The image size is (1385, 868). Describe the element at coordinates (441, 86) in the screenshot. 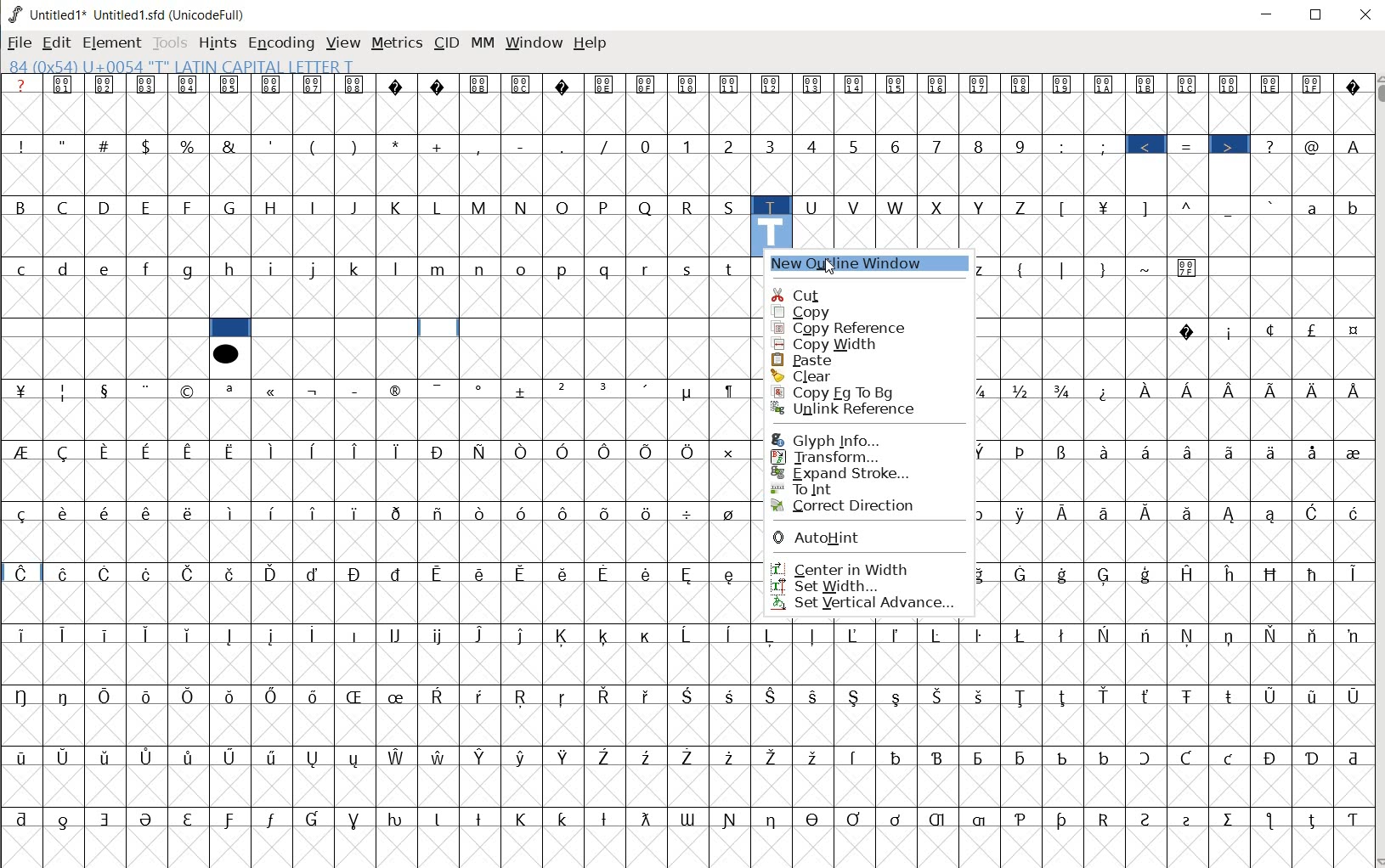

I see `Symbol` at that location.